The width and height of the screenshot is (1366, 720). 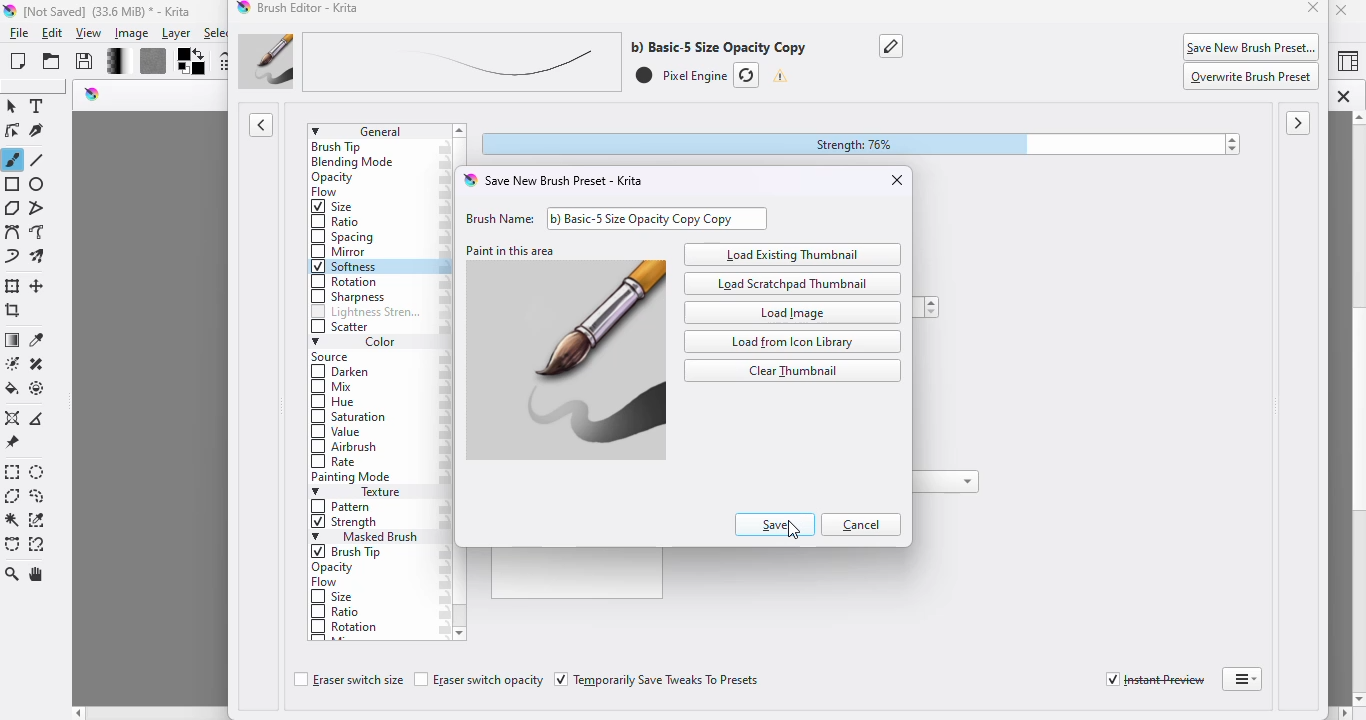 I want to click on brush name, so click(x=497, y=218).